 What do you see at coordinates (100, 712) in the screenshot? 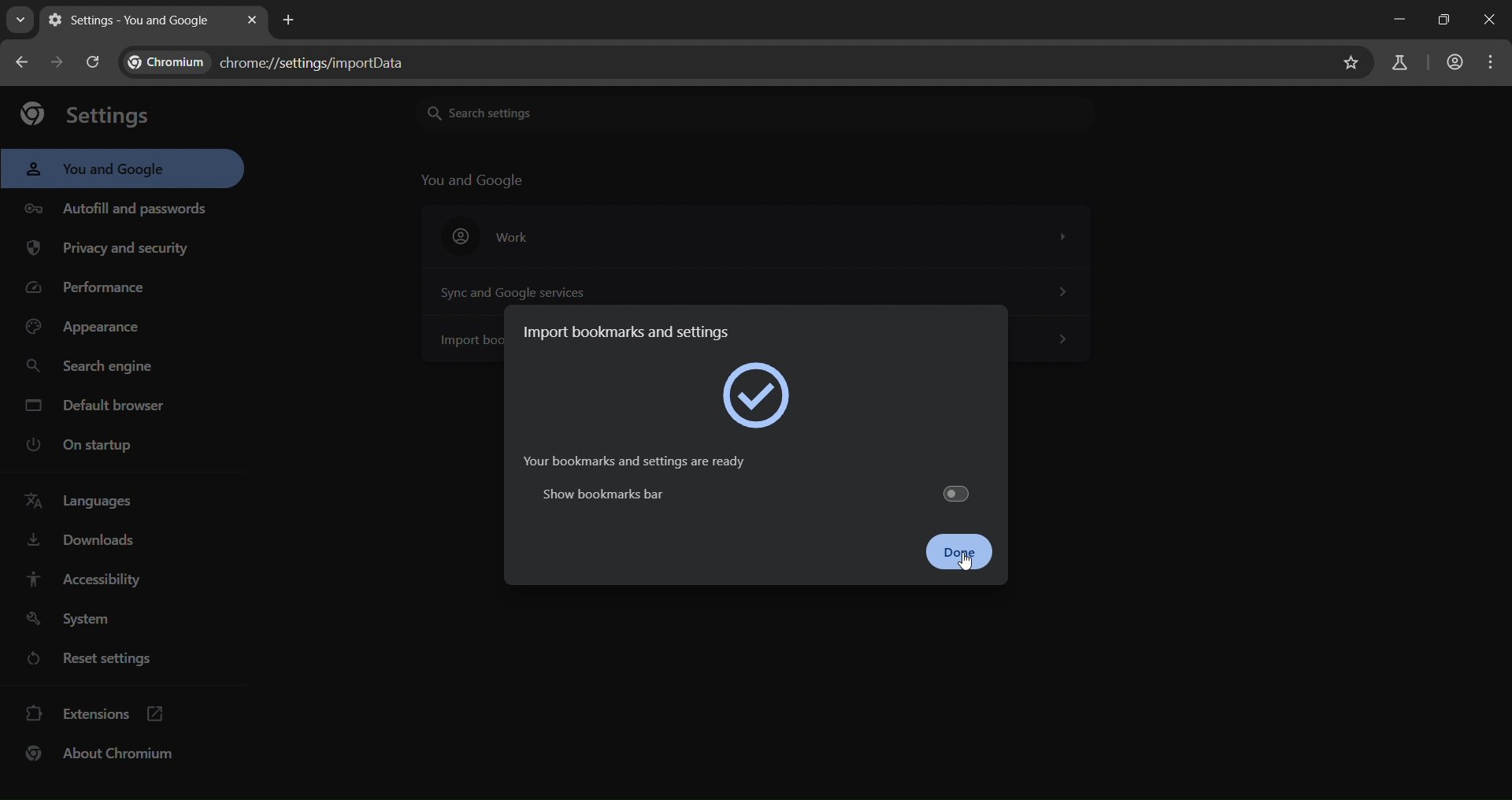
I see `extensions` at bounding box center [100, 712].